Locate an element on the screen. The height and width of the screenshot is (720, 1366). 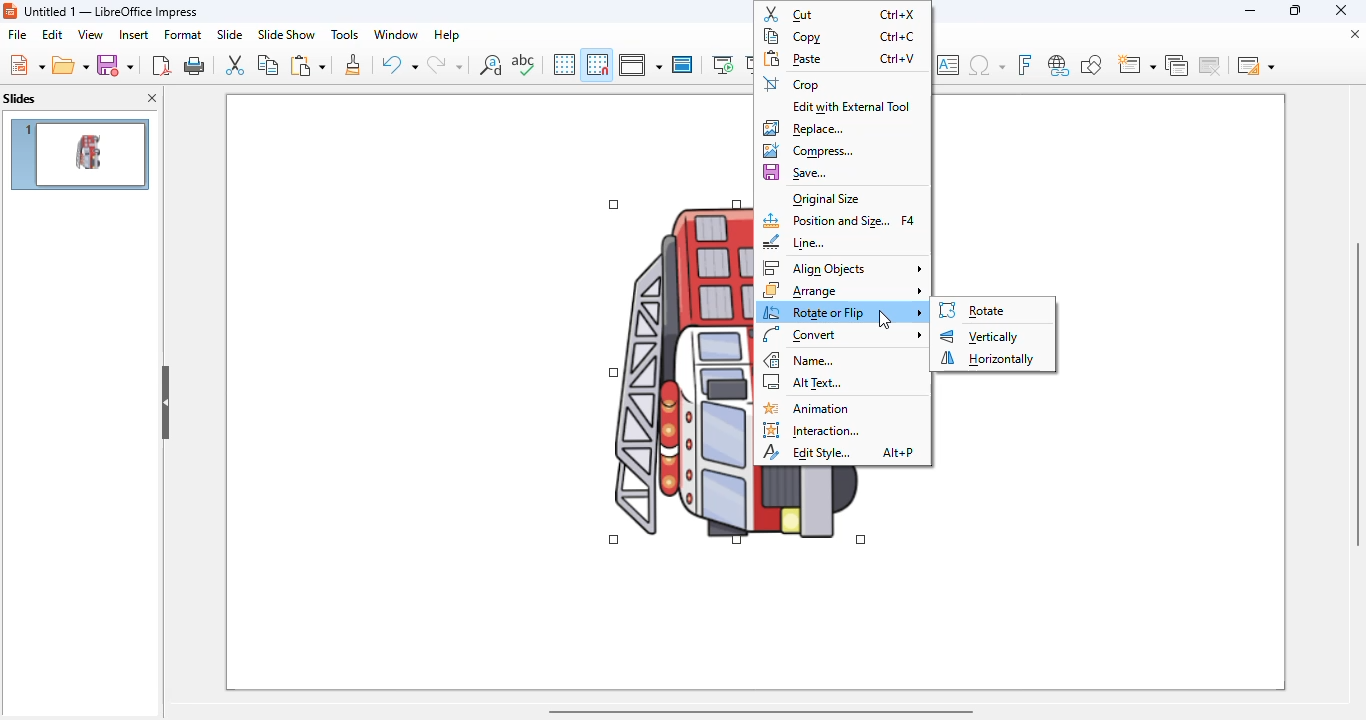
new slide is located at coordinates (1137, 64).